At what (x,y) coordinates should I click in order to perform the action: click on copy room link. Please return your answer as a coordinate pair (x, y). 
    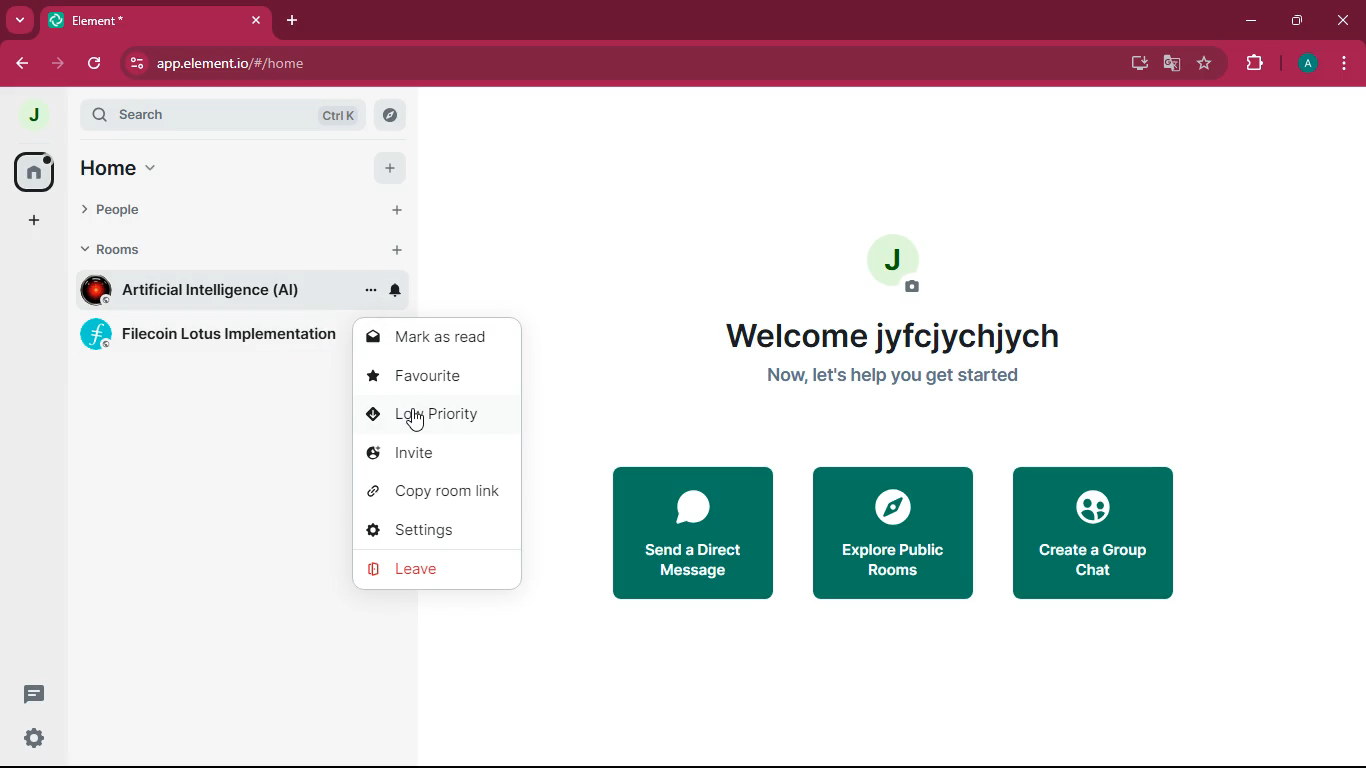
    Looking at the image, I should click on (436, 491).